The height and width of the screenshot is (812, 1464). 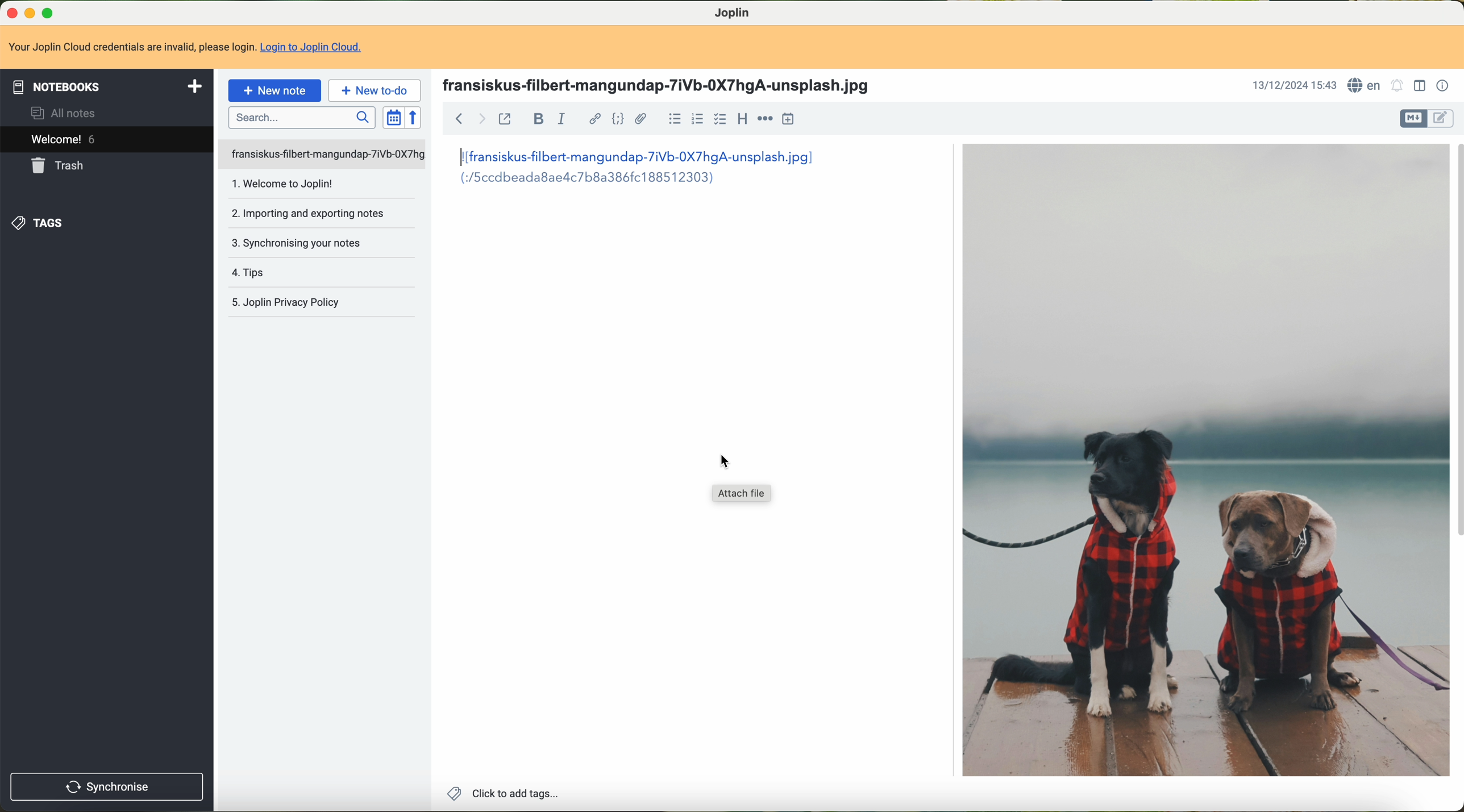 I want to click on toggle editors, so click(x=1443, y=120).